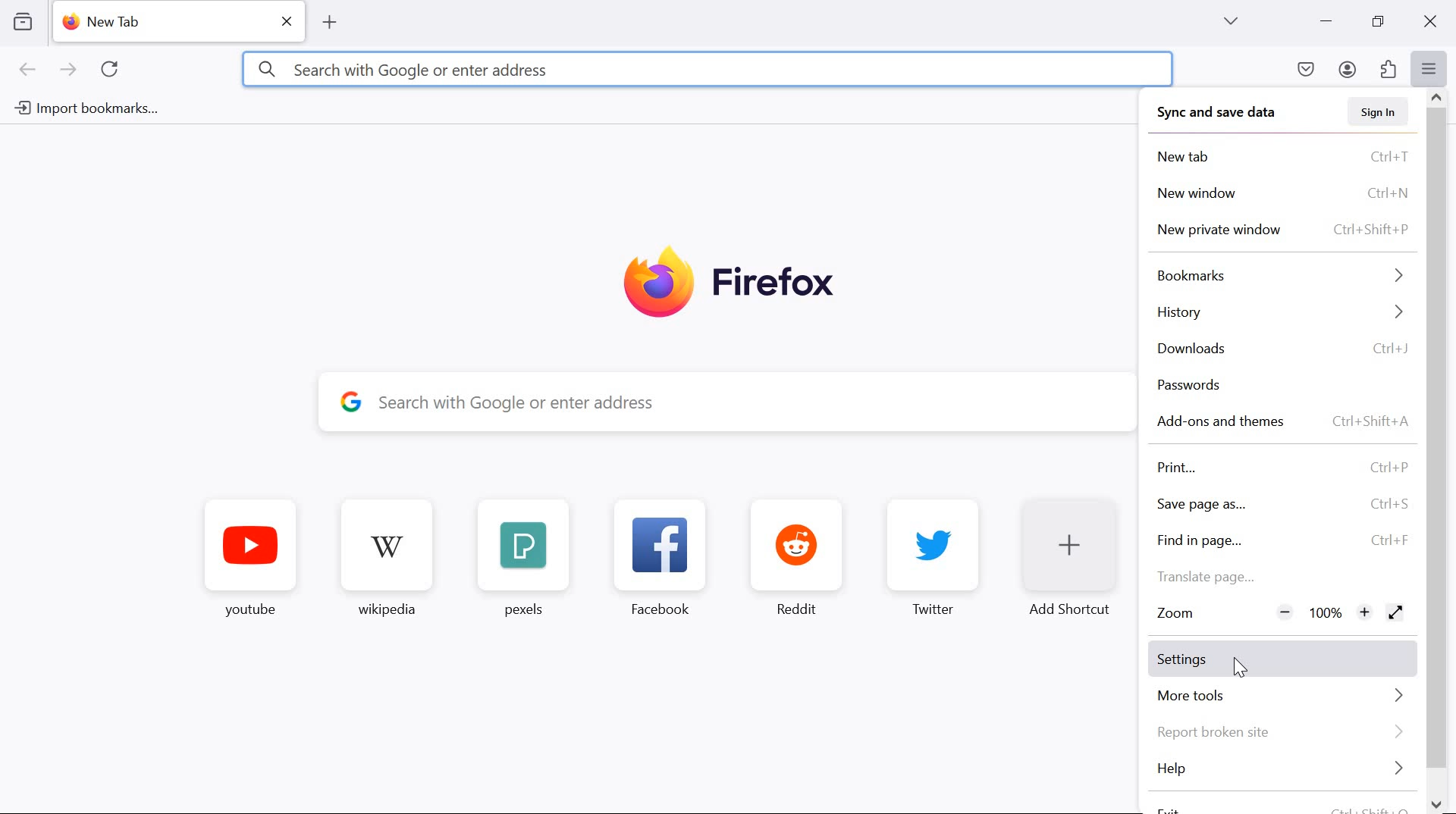  Describe the element at coordinates (1389, 68) in the screenshot. I see `extensions` at that location.